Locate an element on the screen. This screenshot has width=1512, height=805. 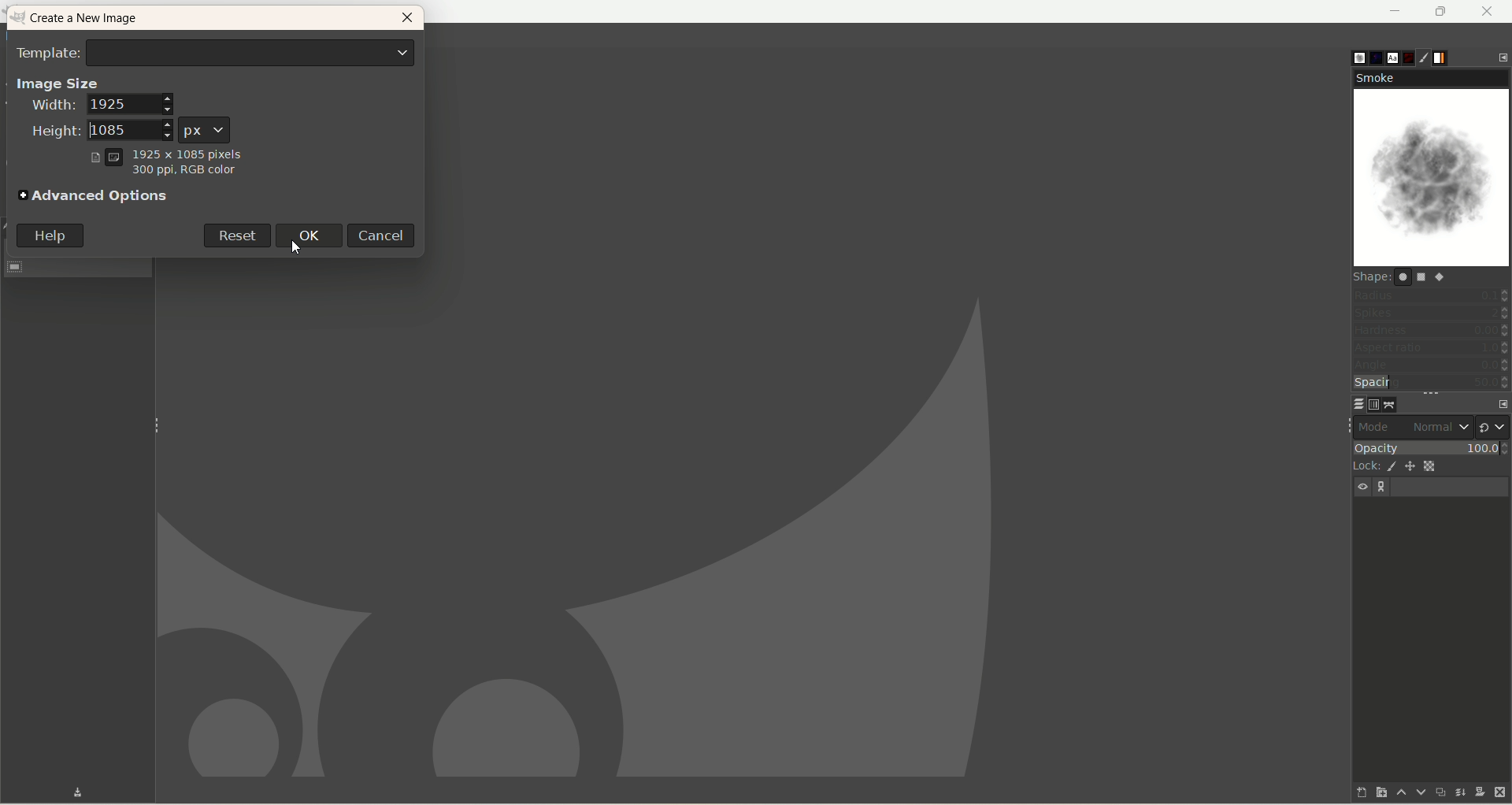
switch mode group is located at coordinates (1493, 423).